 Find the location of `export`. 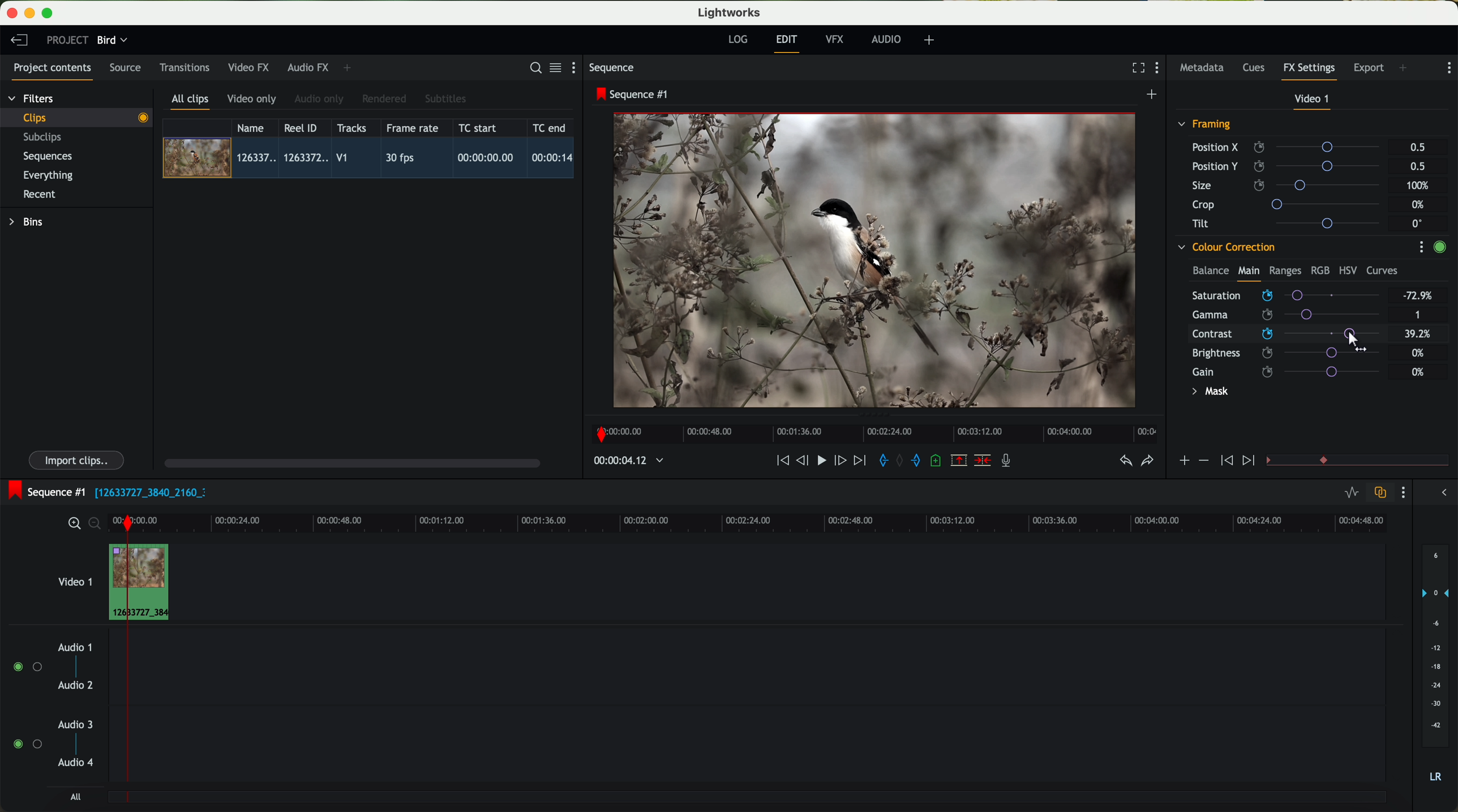

export is located at coordinates (1369, 69).